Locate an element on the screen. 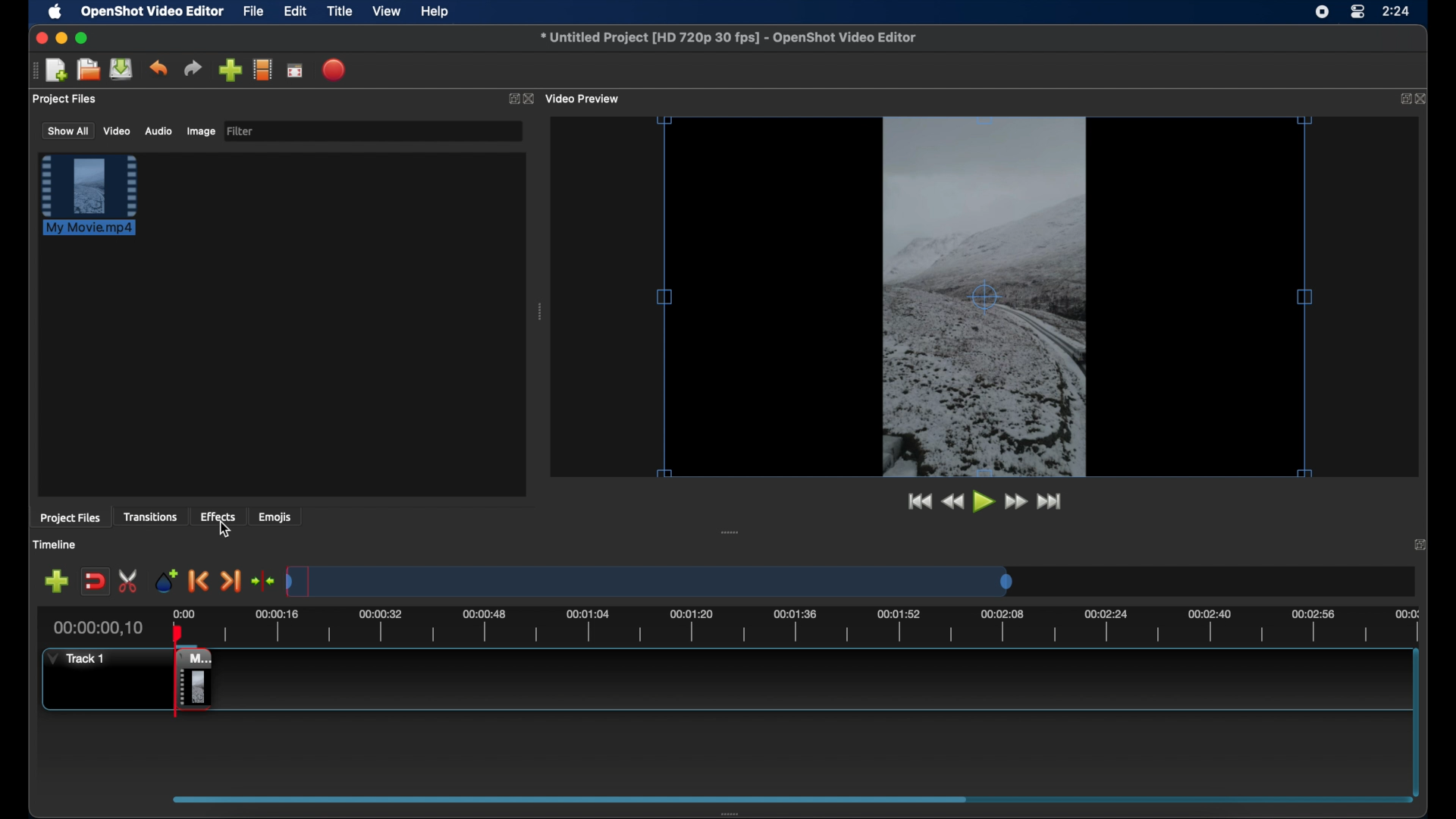 This screenshot has height=819, width=1456. current time indicator is located at coordinates (97, 628).